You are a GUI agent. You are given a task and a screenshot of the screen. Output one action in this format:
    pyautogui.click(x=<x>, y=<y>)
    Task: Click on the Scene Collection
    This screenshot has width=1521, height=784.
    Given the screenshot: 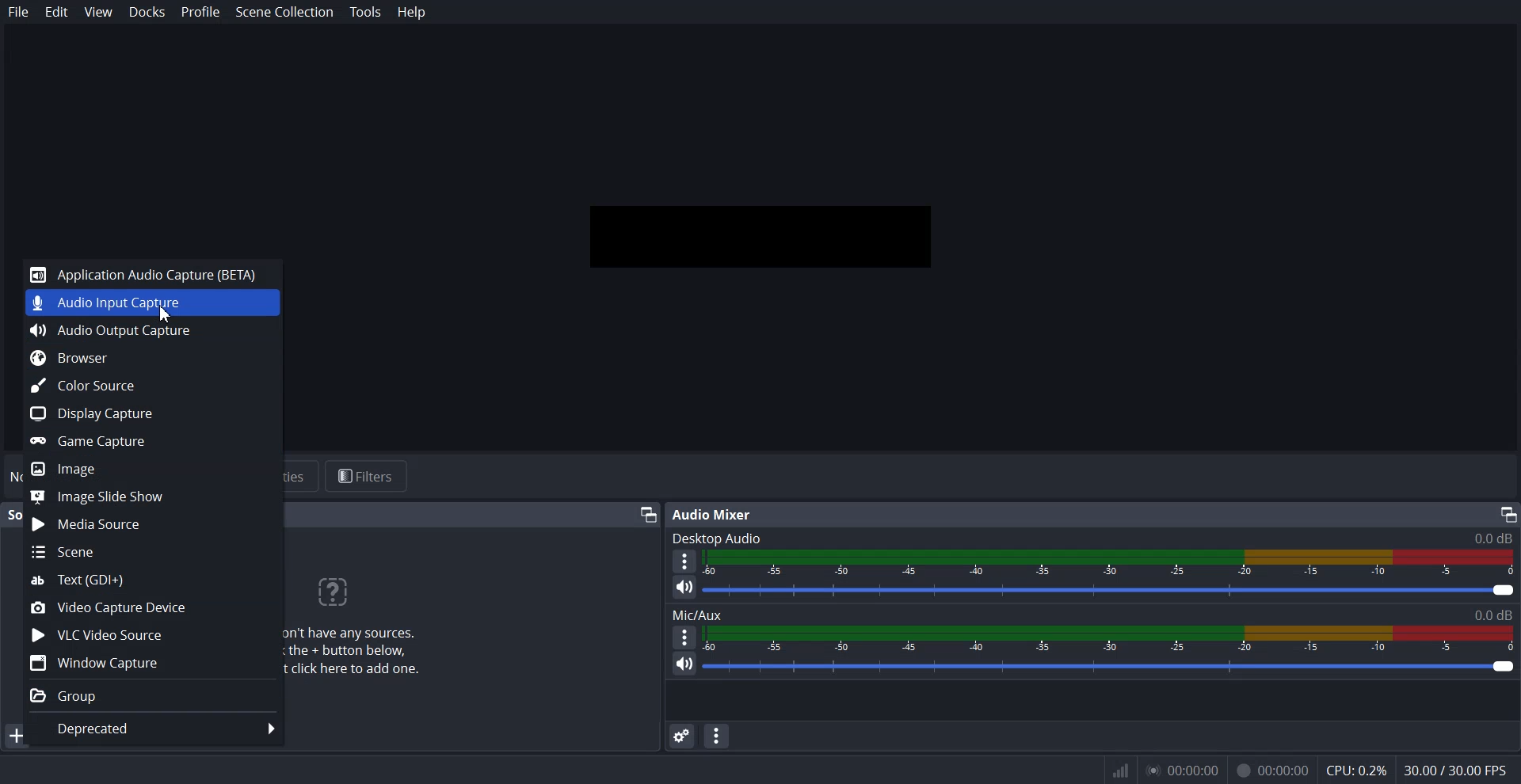 What is the action you would take?
    pyautogui.click(x=285, y=13)
    